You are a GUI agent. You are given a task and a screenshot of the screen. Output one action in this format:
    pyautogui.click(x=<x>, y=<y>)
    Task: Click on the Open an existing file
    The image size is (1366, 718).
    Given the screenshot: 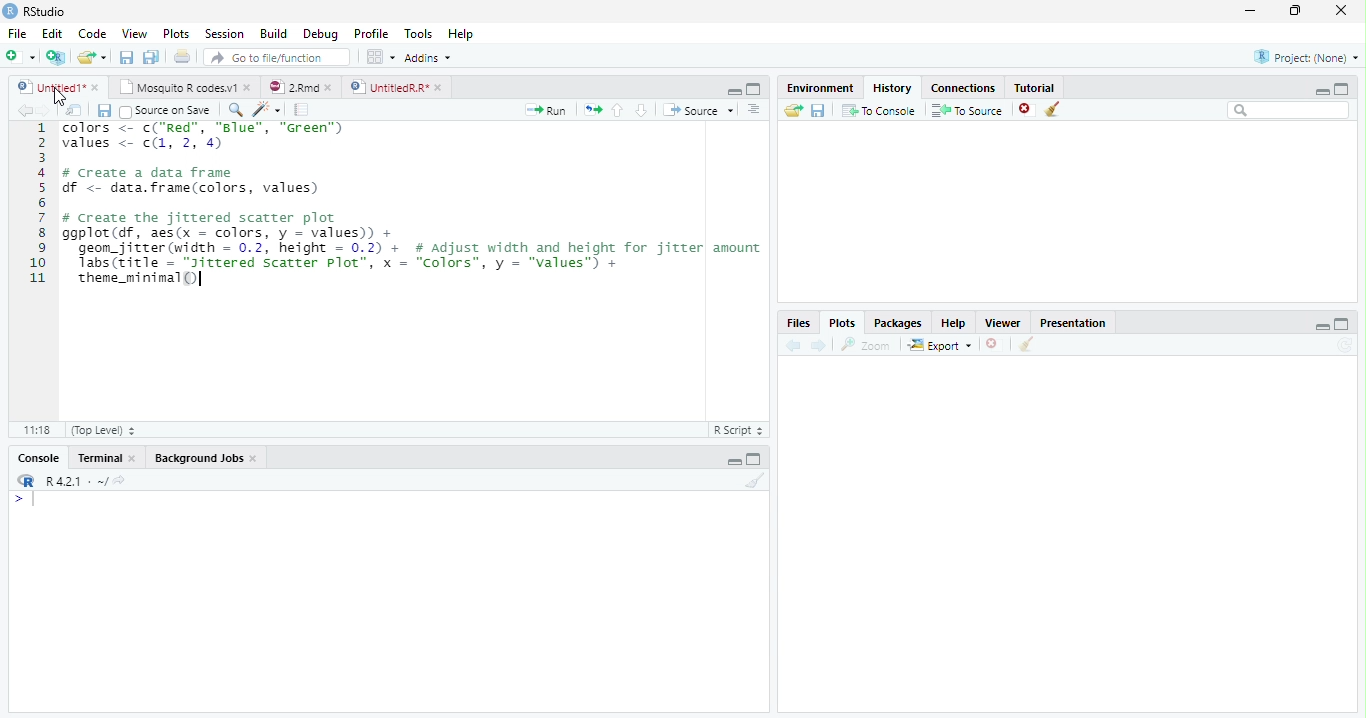 What is the action you would take?
    pyautogui.click(x=84, y=57)
    